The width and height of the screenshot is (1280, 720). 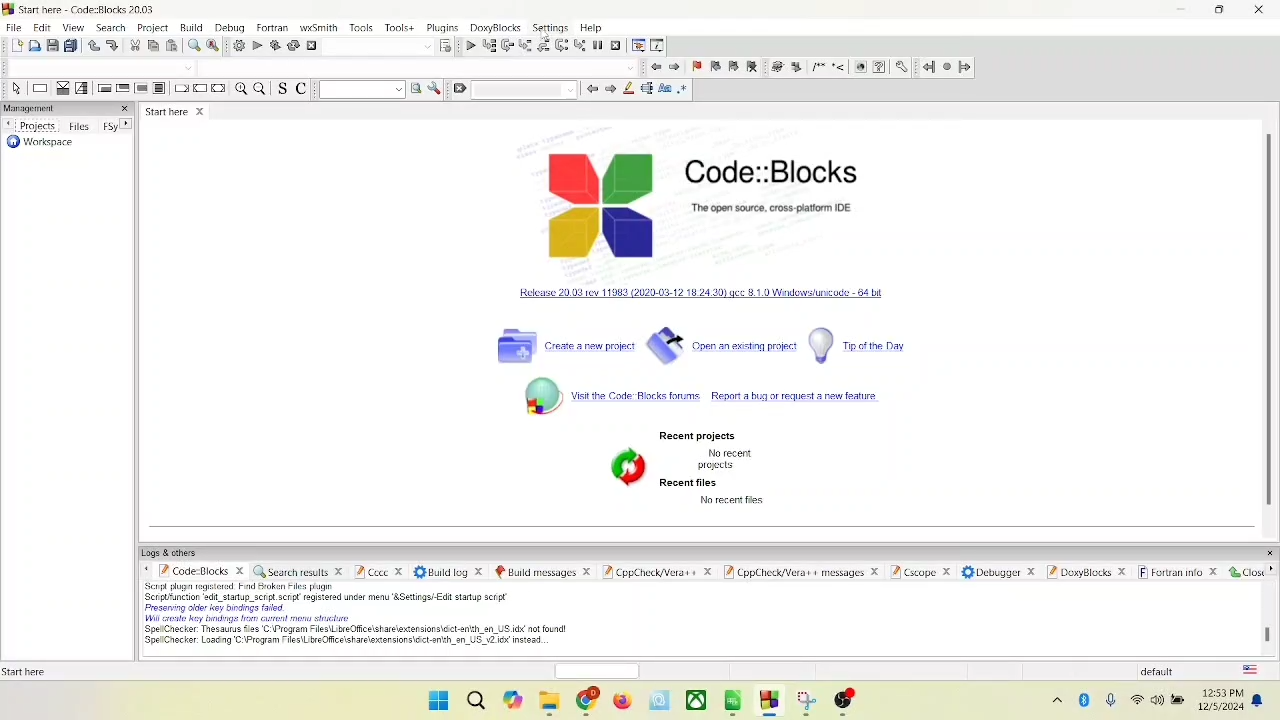 I want to click on workspace, so click(x=37, y=146).